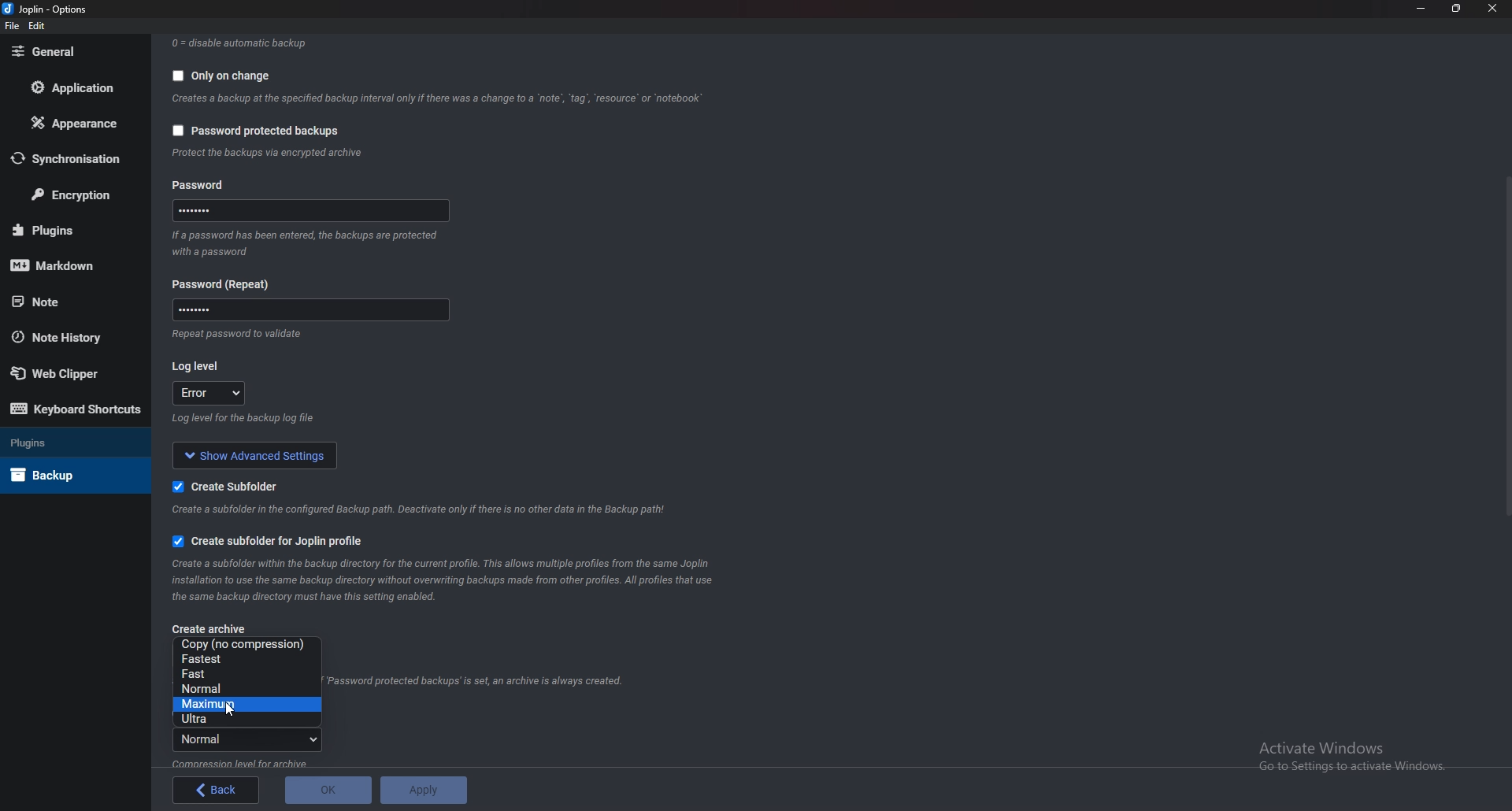 The height and width of the screenshot is (811, 1512). I want to click on No compression, so click(247, 645).